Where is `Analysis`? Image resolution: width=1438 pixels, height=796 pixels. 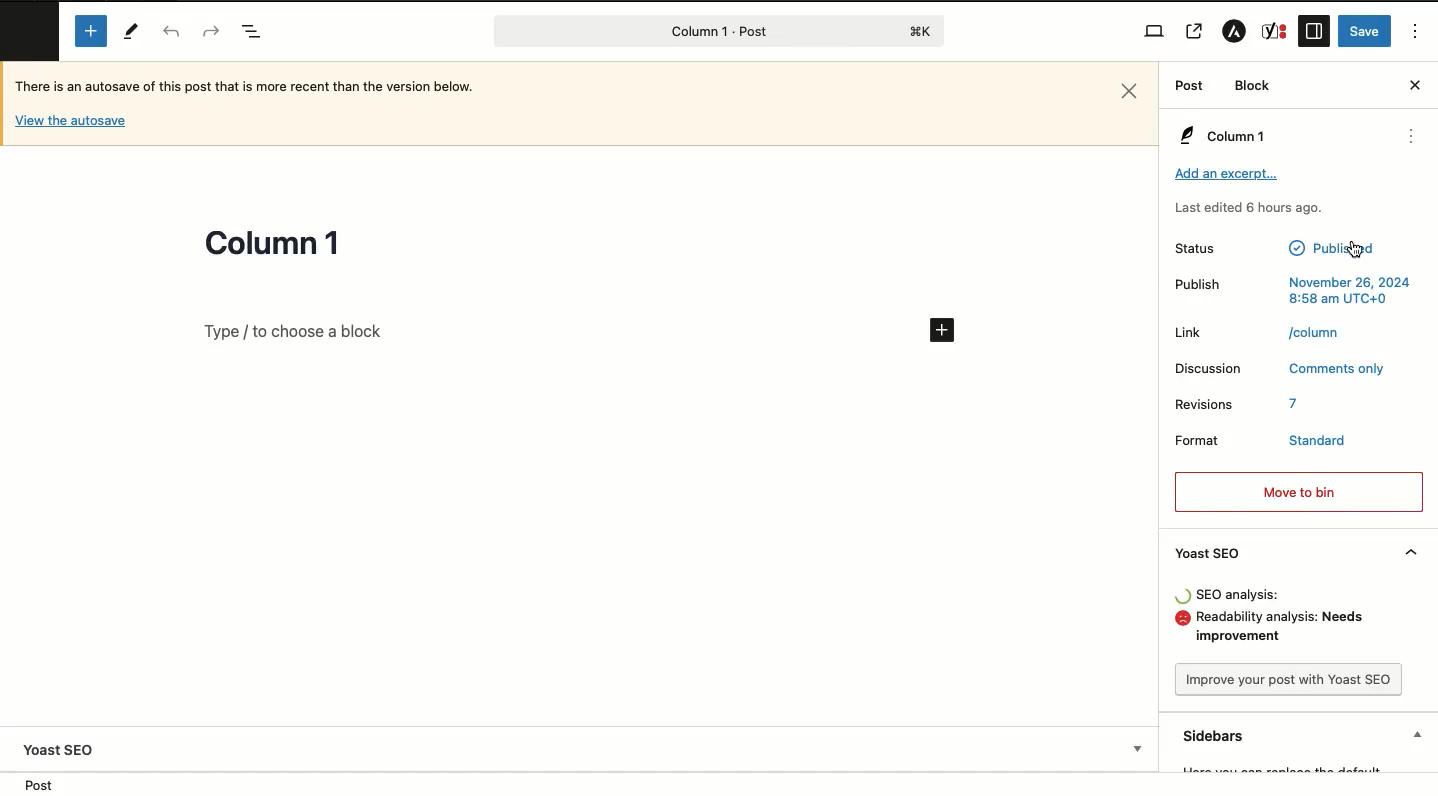
Analysis is located at coordinates (1241, 595).